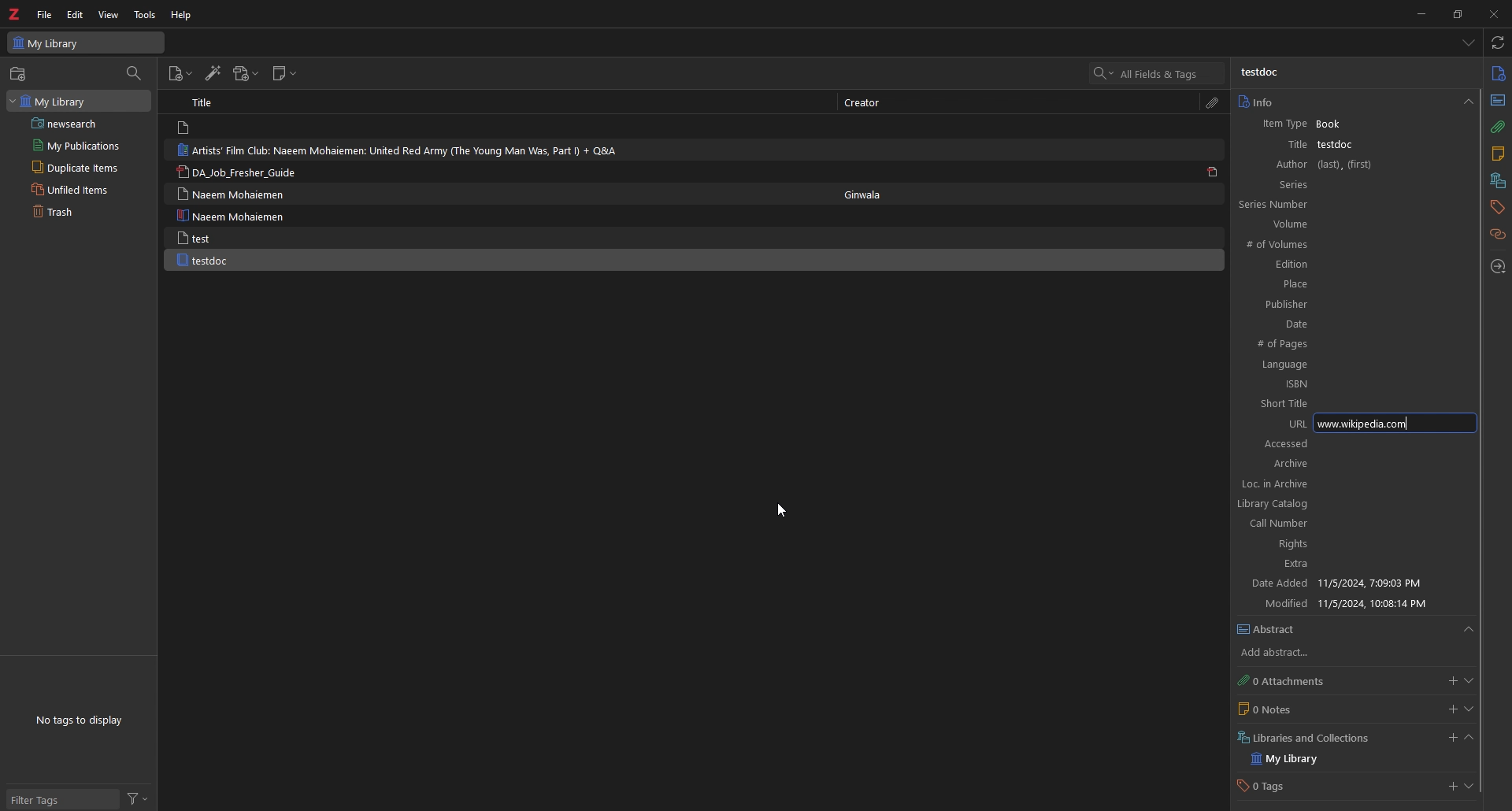 Image resolution: width=1512 pixels, height=811 pixels. Describe the element at coordinates (135, 73) in the screenshot. I see `filter items` at that location.